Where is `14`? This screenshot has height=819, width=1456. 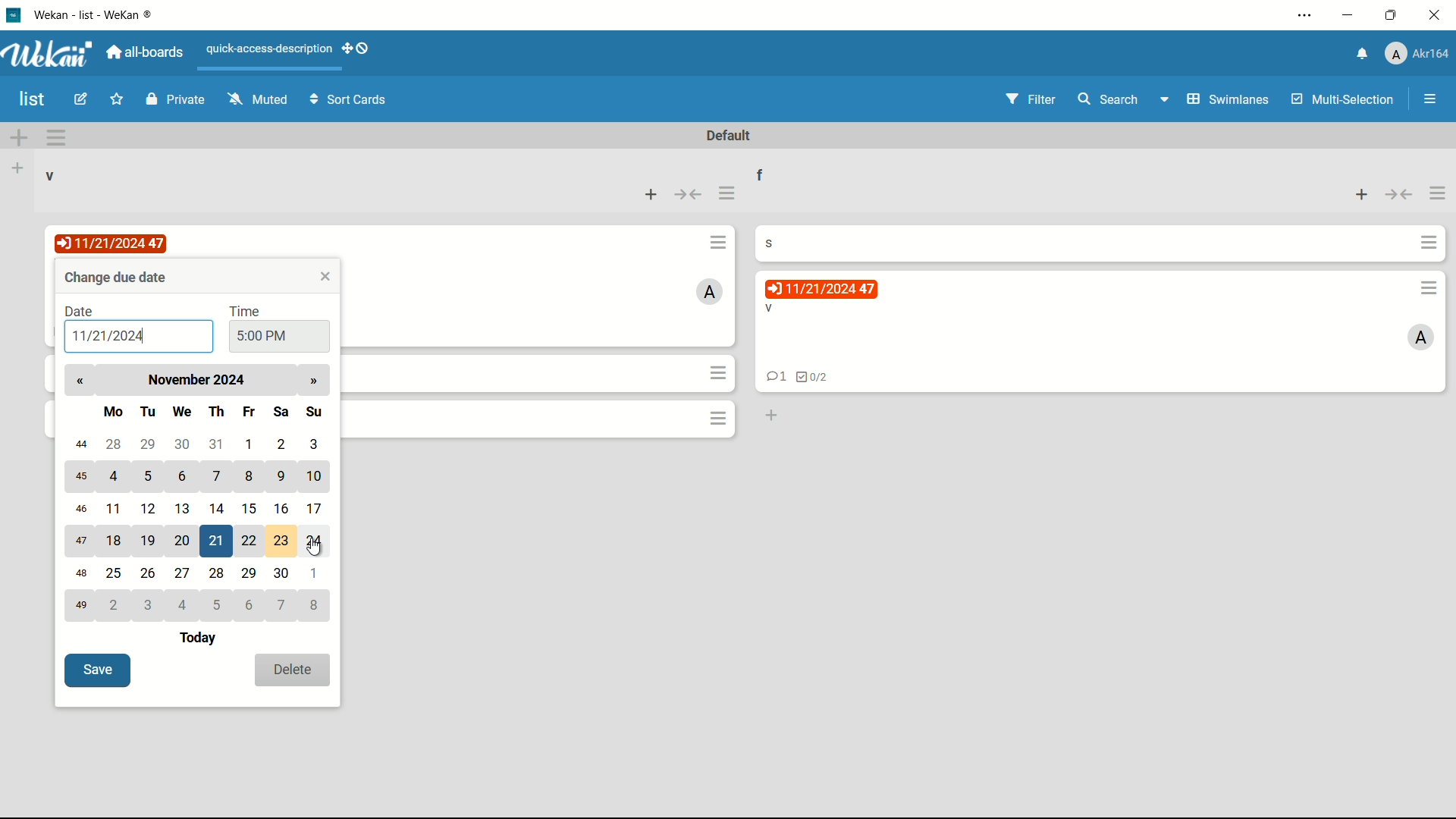
14 is located at coordinates (217, 506).